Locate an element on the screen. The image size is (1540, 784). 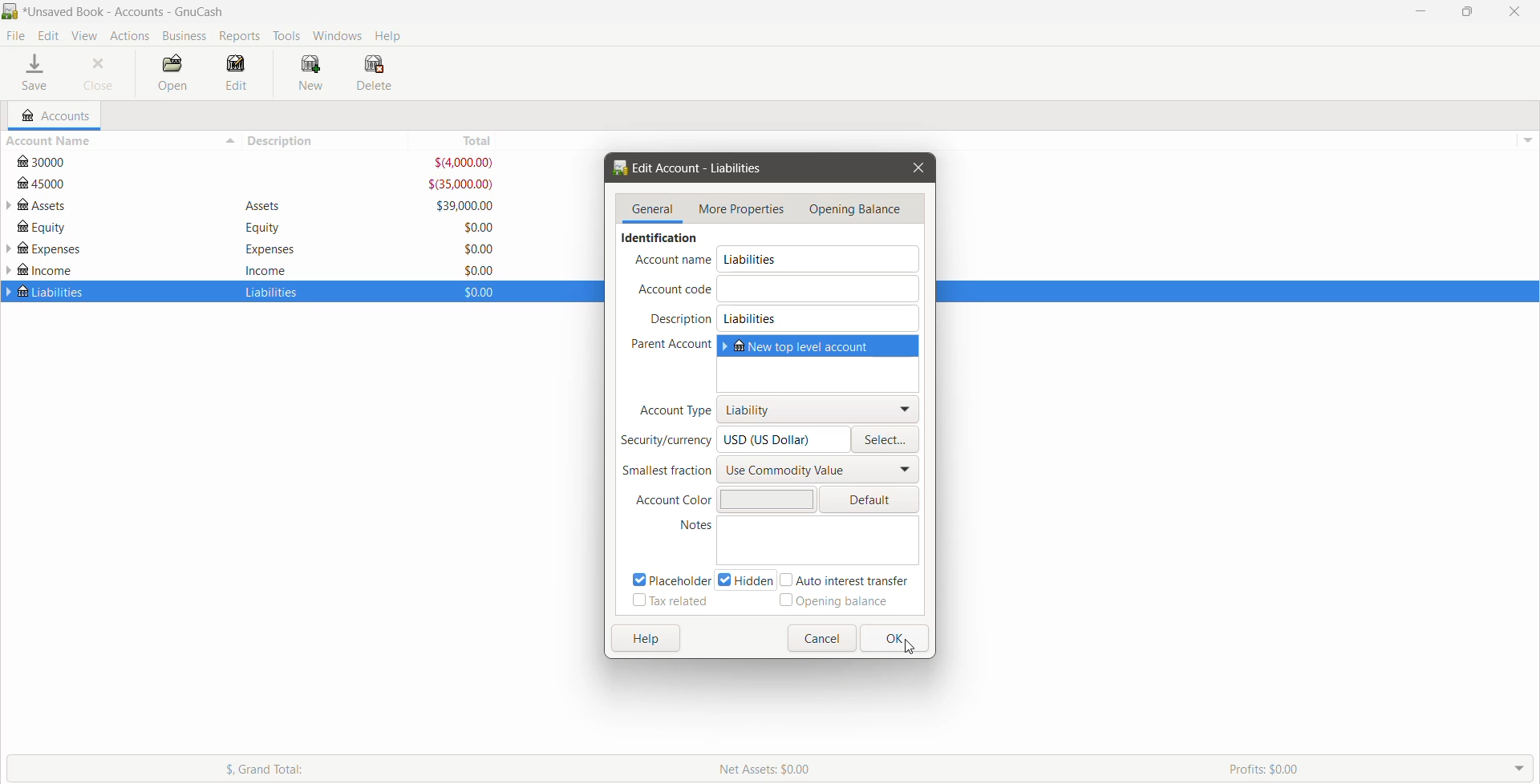
Set currency is located at coordinates (785, 439).